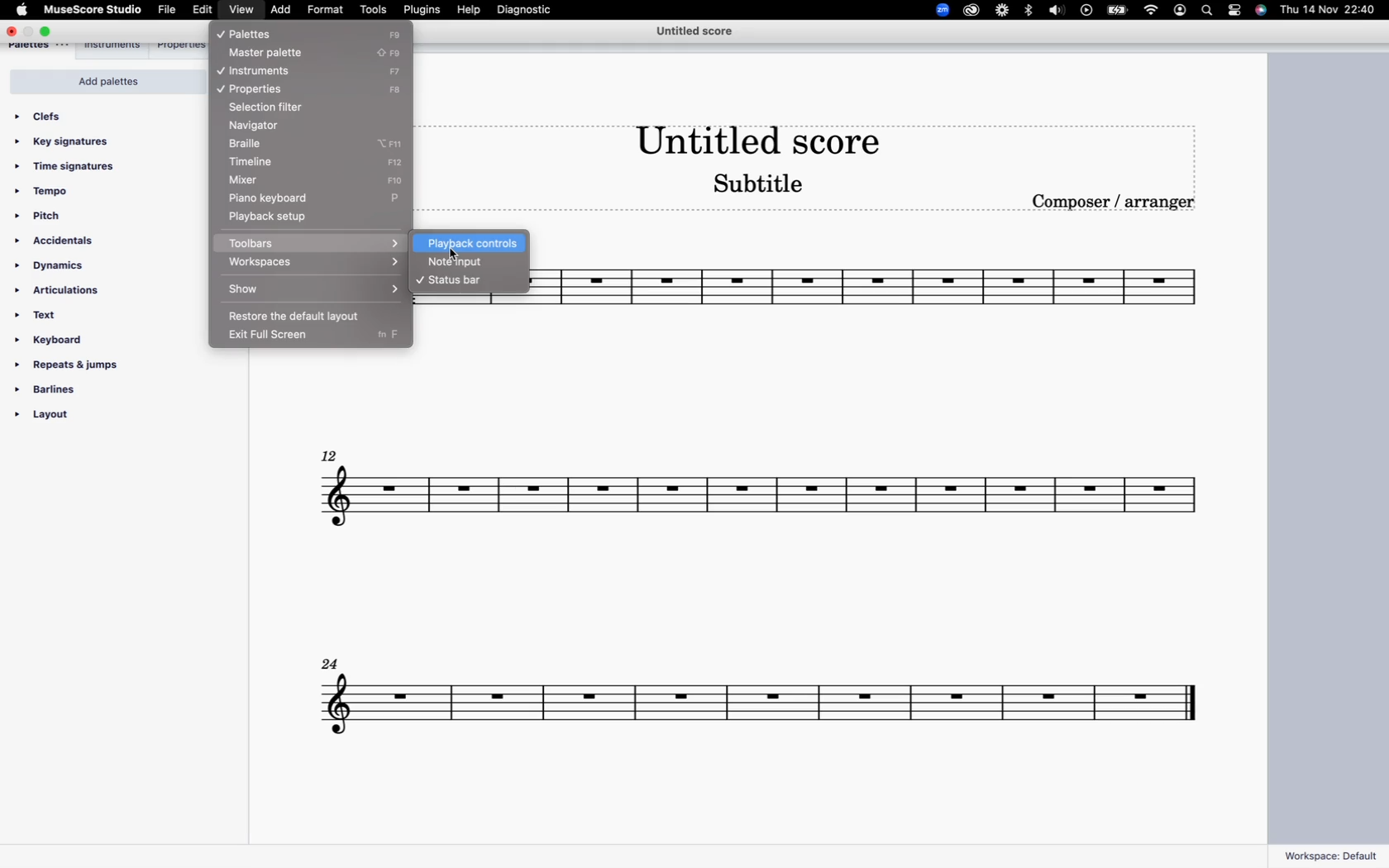 Image resolution: width=1389 pixels, height=868 pixels. Describe the element at coordinates (400, 69) in the screenshot. I see `F7` at that location.